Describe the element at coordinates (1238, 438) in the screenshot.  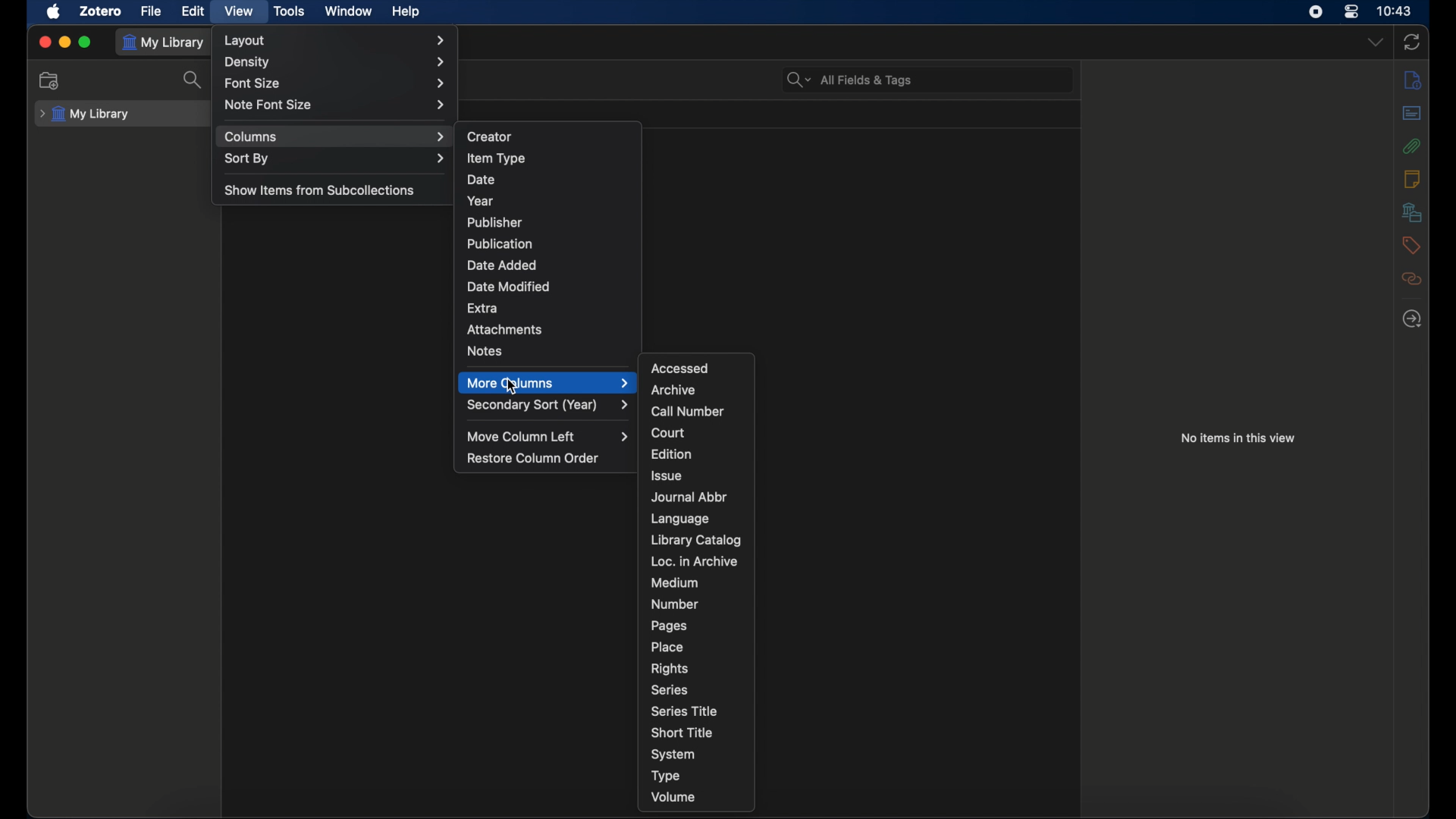
I see `no items in this view` at that location.